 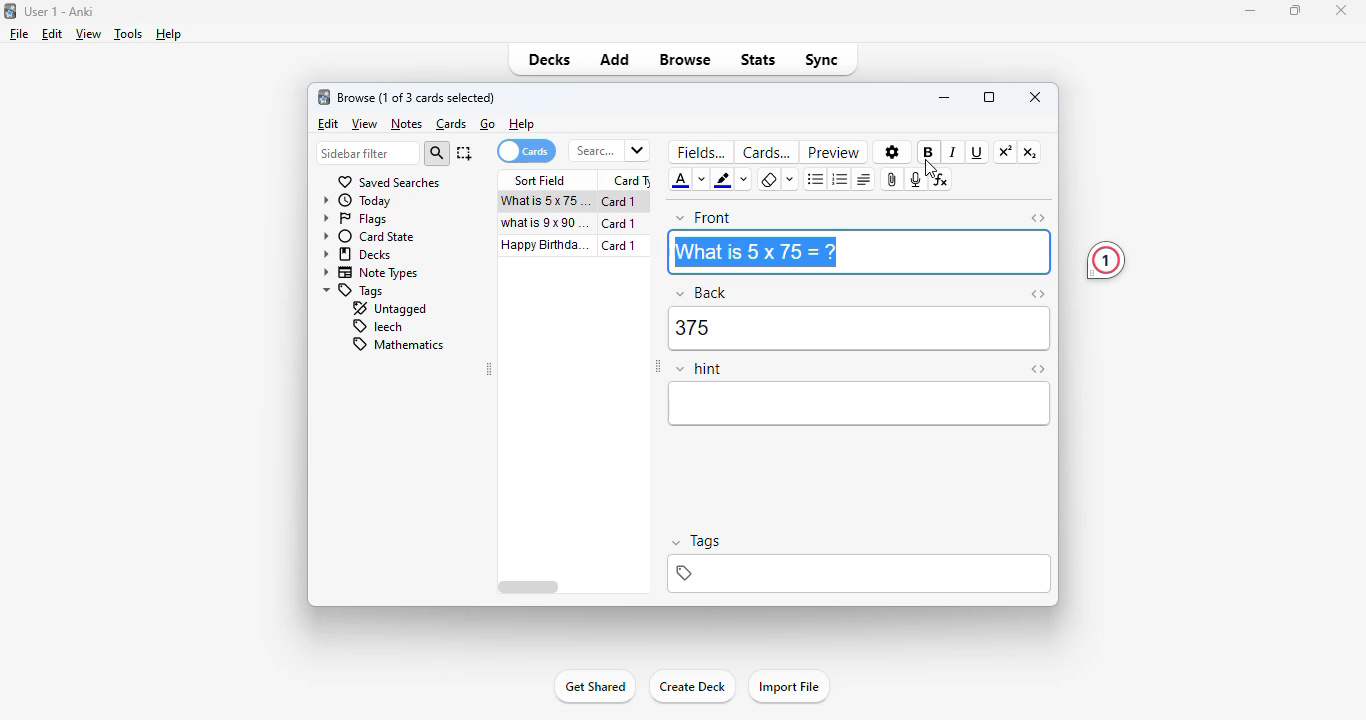 I want to click on select formatting to remove, so click(x=789, y=181).